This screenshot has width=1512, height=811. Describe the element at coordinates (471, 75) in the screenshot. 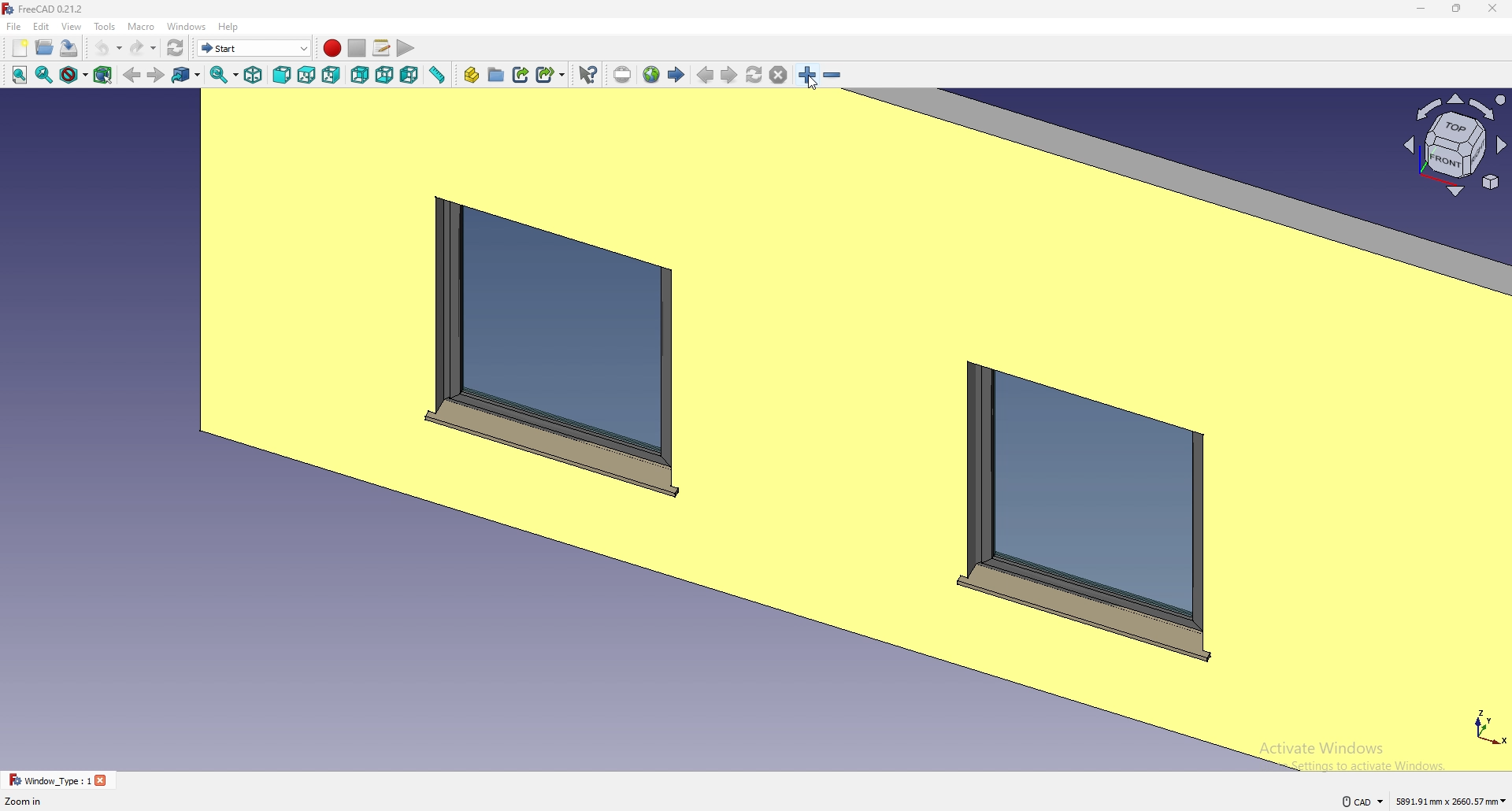

I see `create part` at that location.